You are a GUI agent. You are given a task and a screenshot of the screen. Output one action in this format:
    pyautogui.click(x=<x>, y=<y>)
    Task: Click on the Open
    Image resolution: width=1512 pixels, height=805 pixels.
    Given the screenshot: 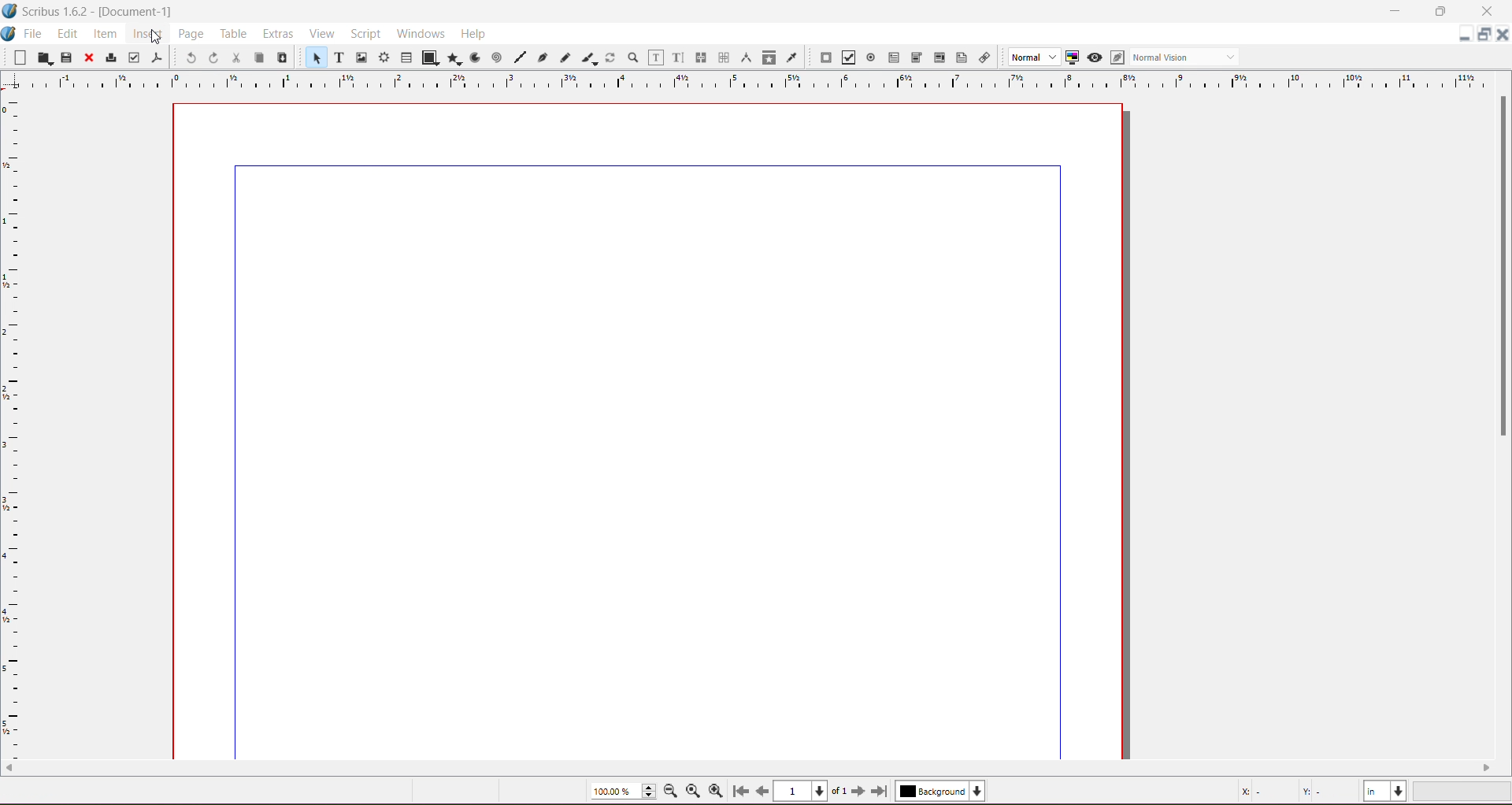 What is the action you would take?
    pyautogui.click(x=45, y=57)
    